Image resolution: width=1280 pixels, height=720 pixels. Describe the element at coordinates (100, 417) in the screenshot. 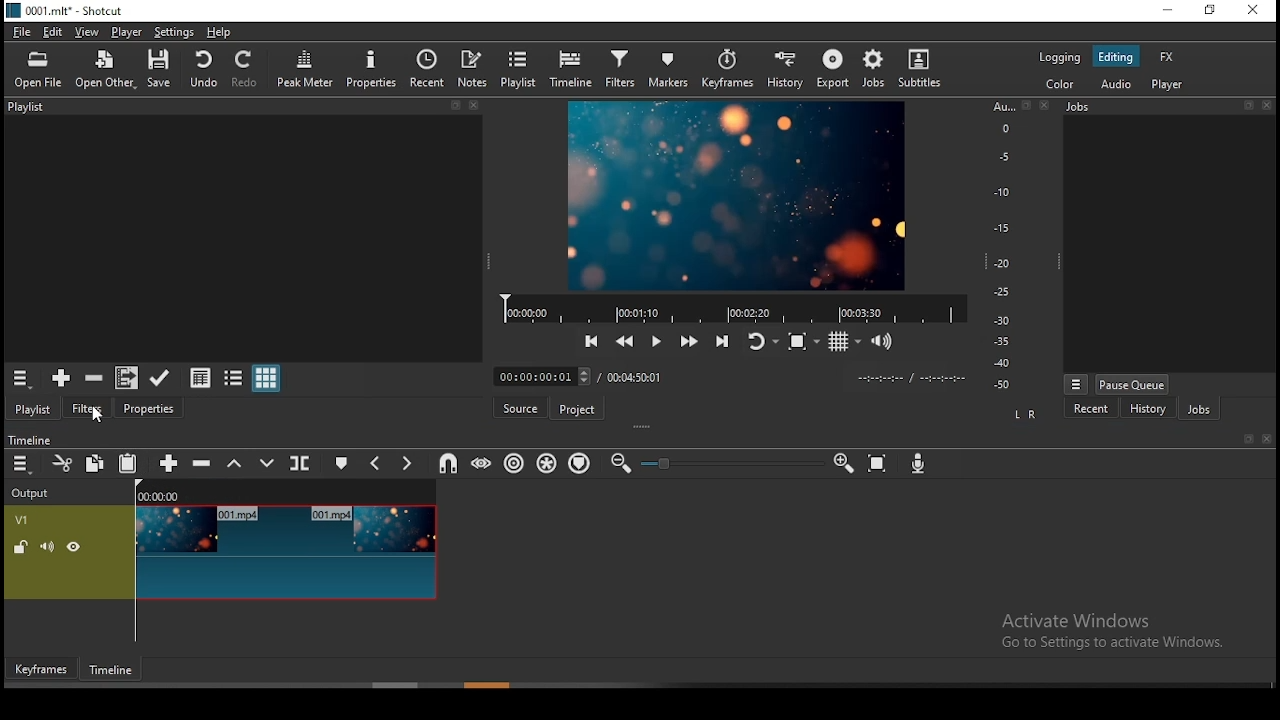

I see `cursor` at that location.